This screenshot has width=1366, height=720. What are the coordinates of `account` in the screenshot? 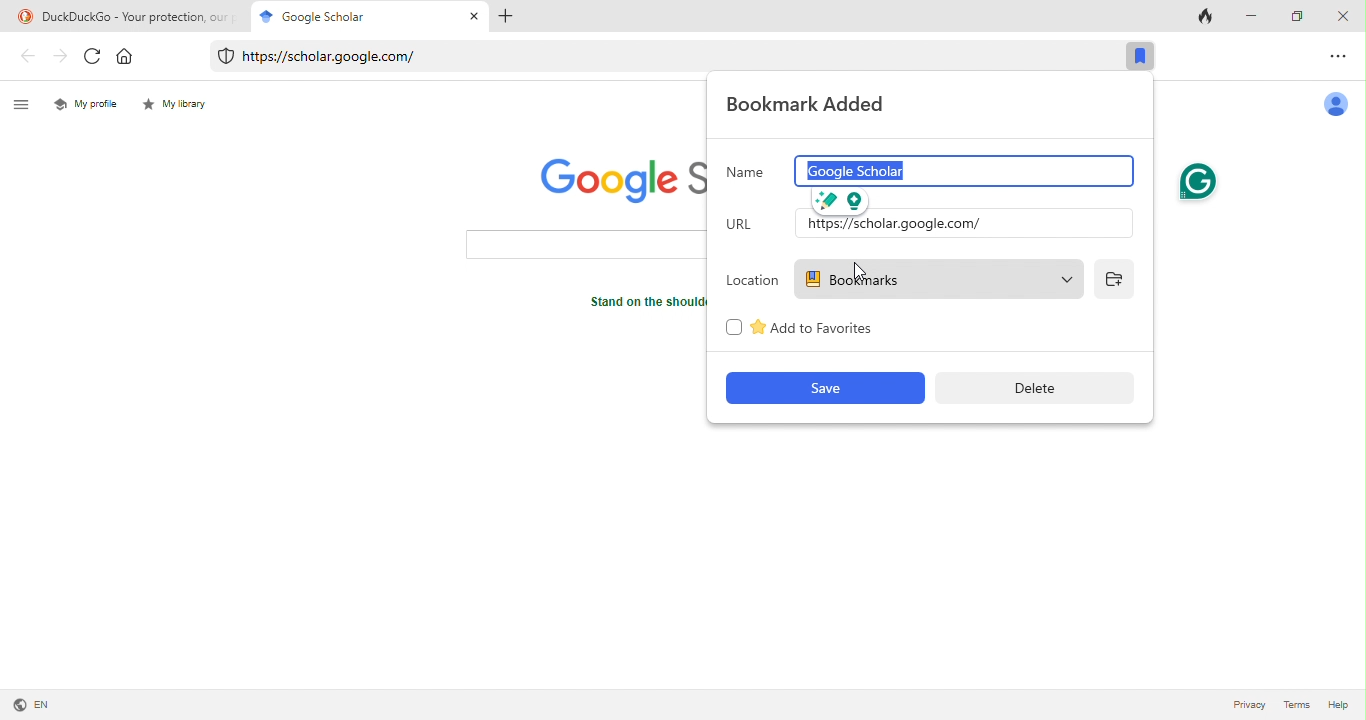 It's located at (1339, 107).